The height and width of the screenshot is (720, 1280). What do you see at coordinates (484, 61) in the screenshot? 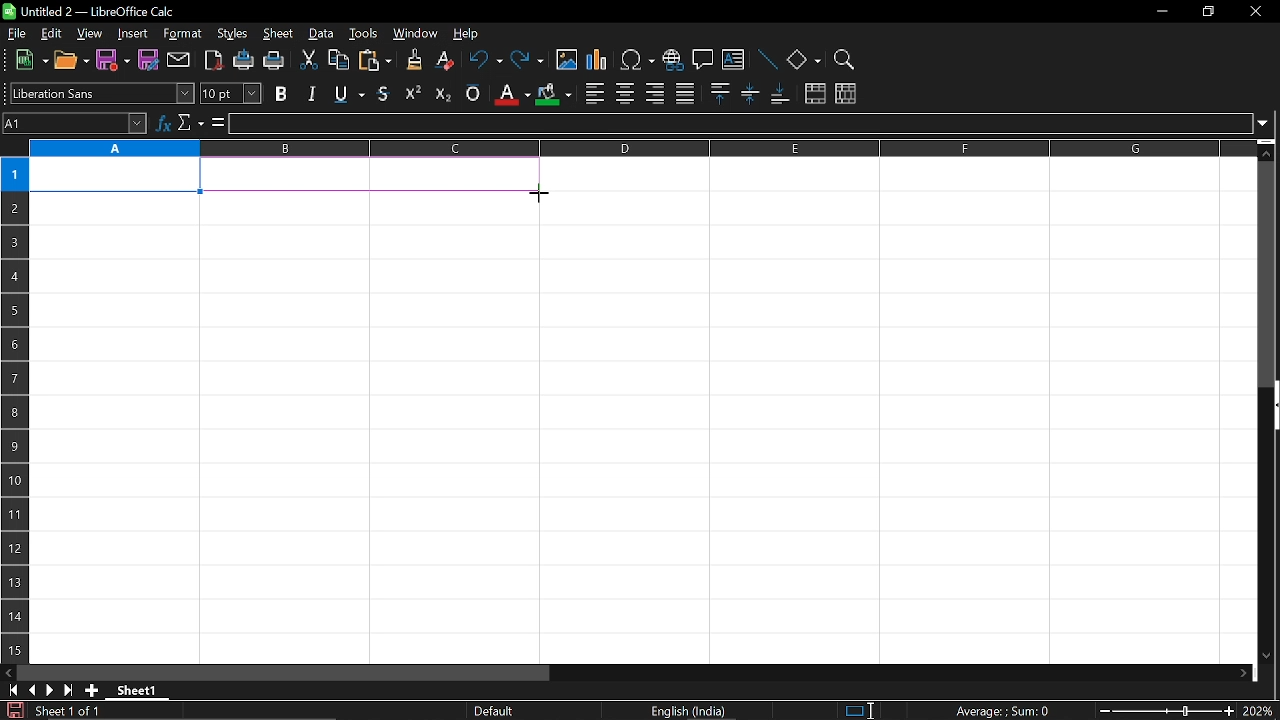
I see `undo` at bounding box center [484, 61].